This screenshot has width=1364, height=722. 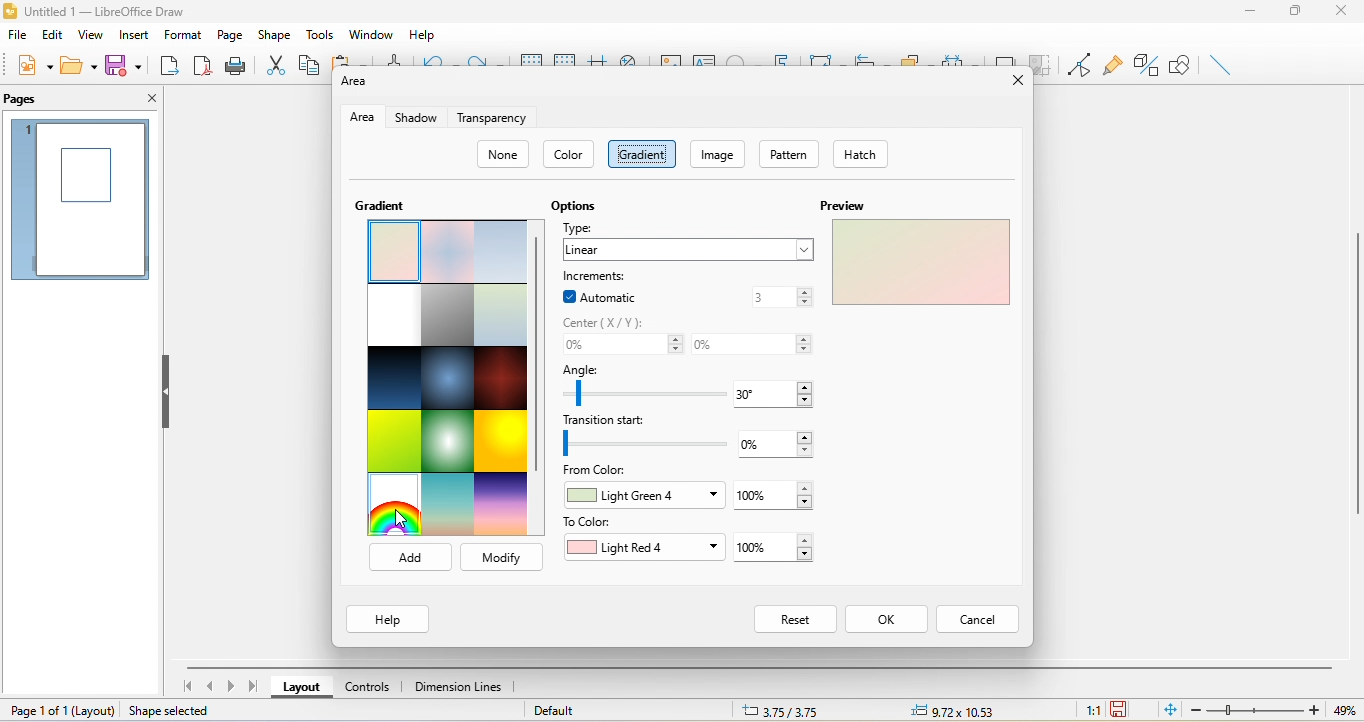 What do you see at coordinates (396, 380) in the screenshot?
I see `midnight` at bounding box center [396, 380].